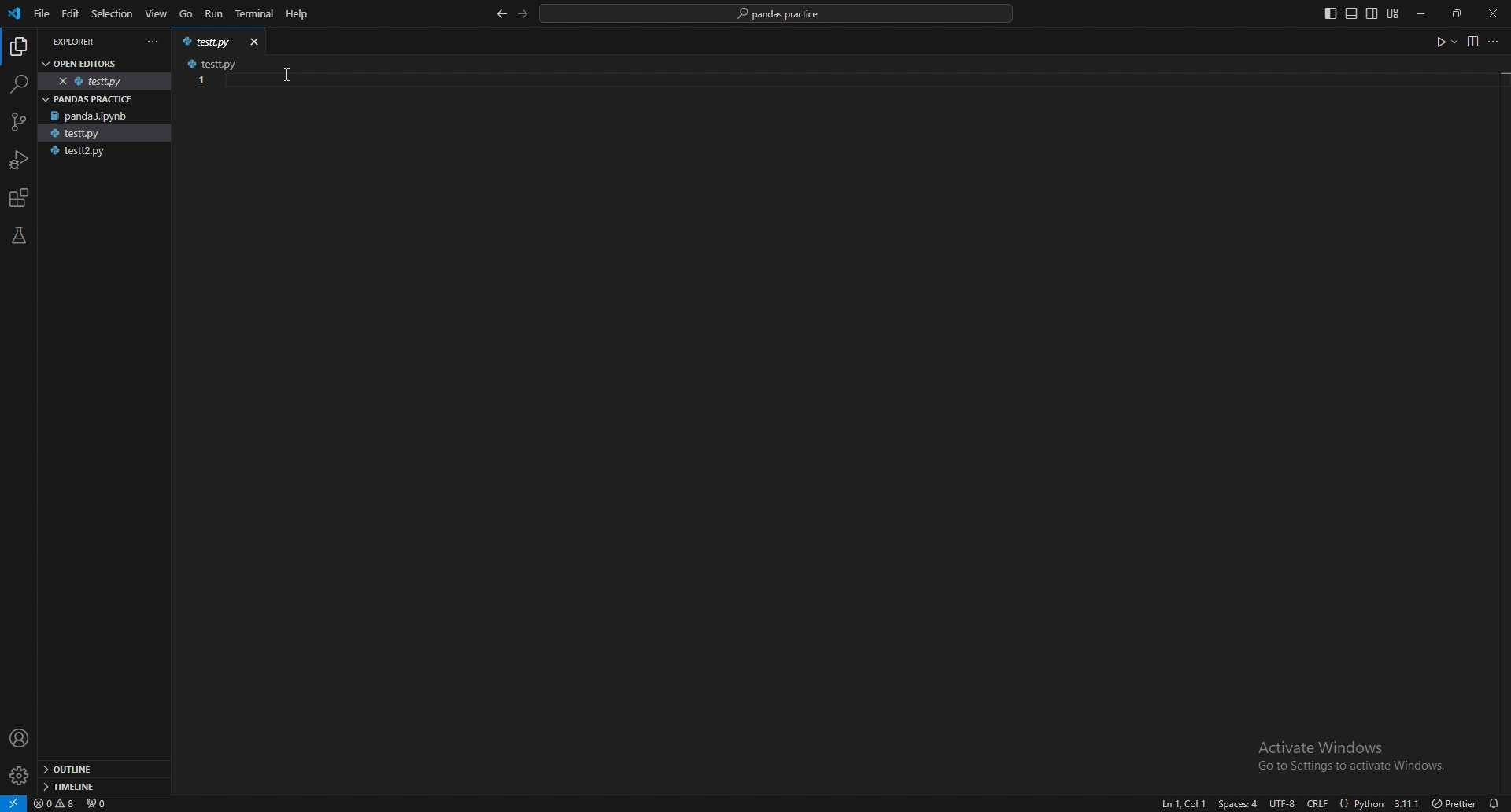  Describe the element at coordinates (1177, 804) in the screenshot. I see `ln1, col1` at that location.